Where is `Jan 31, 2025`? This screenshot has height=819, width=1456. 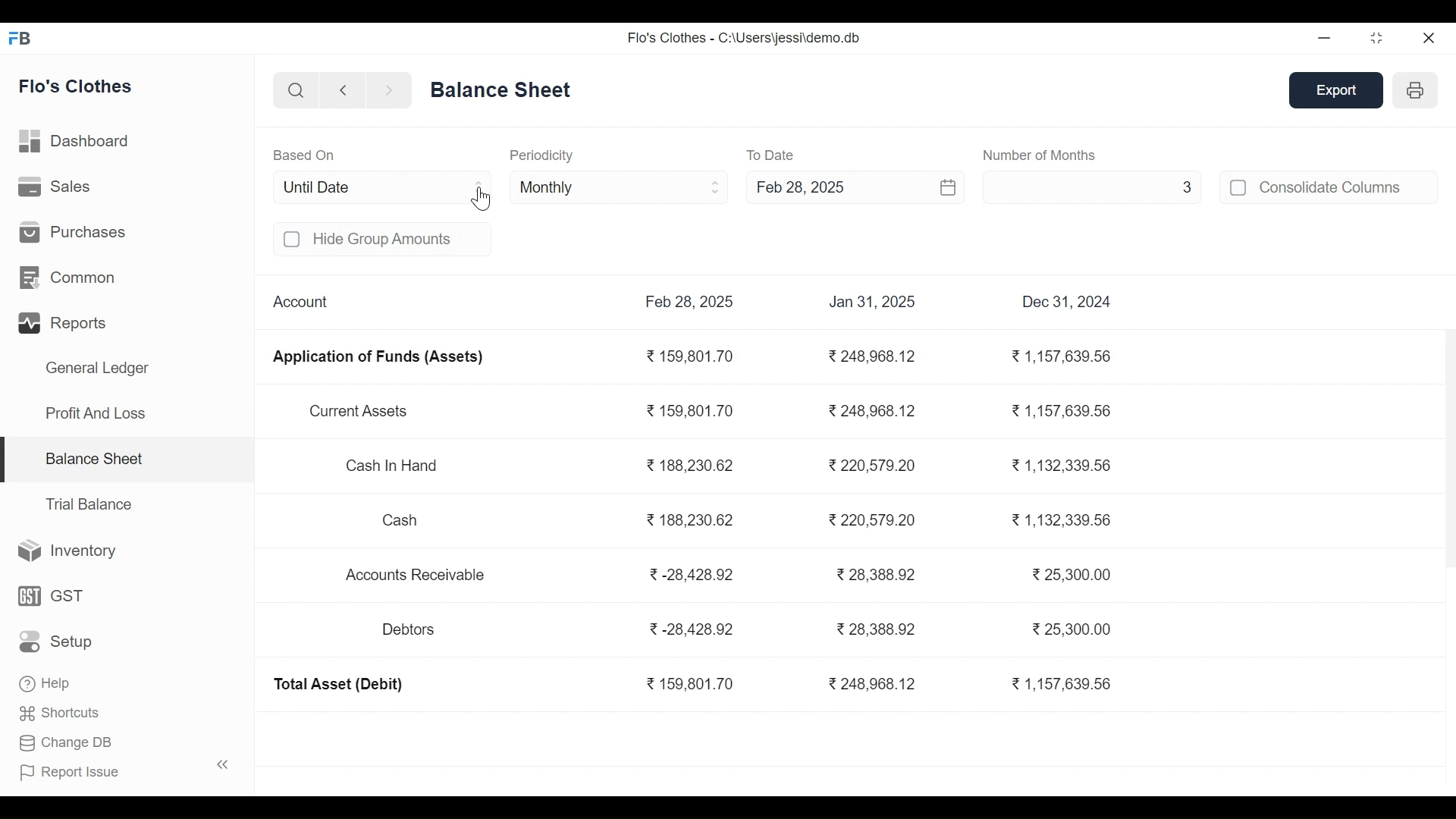 Jan 31, 2025 is located at coordinates (872, 301).